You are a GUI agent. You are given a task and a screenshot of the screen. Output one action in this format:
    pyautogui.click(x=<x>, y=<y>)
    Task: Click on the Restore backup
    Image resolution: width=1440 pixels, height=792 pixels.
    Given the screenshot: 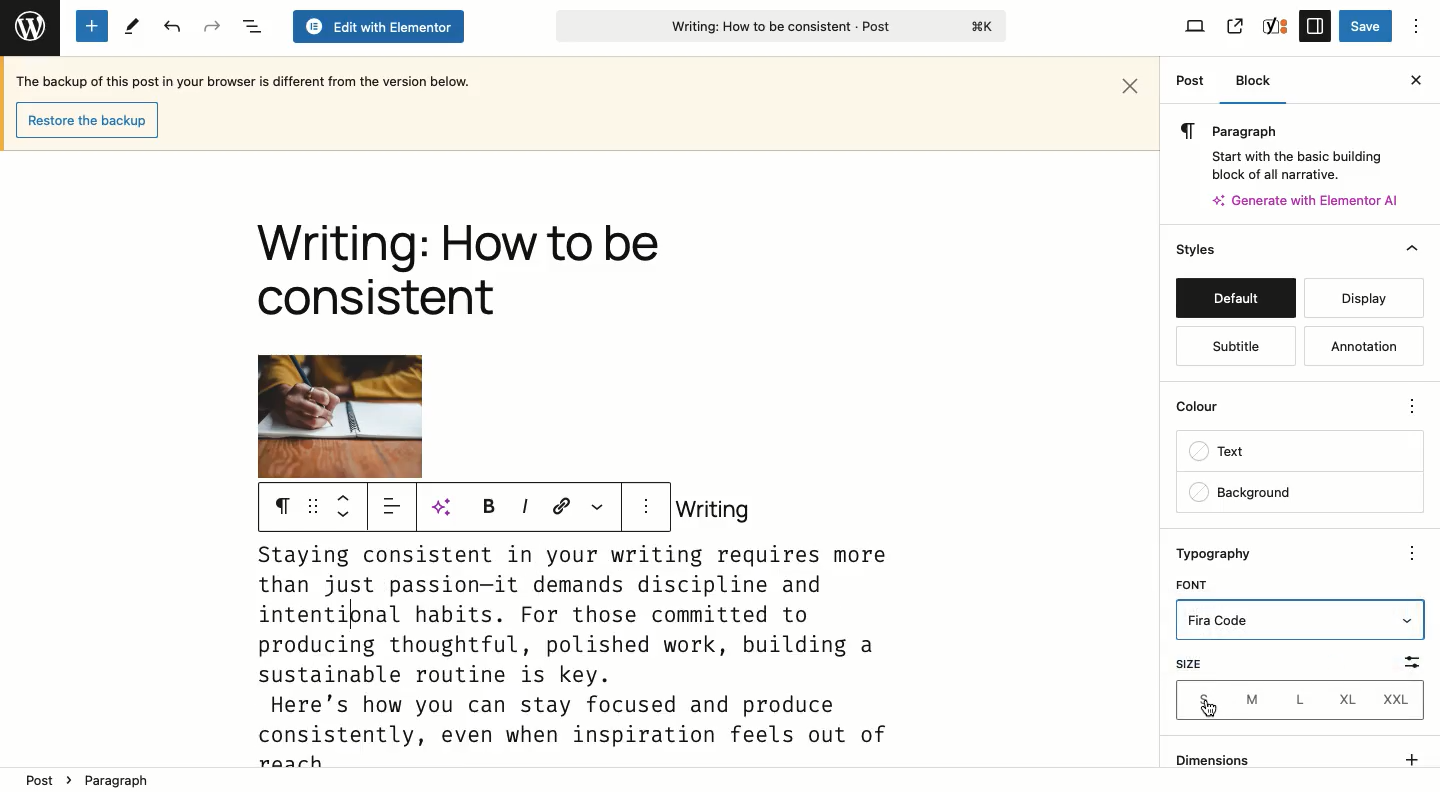 What is the action you would take?
    pyautogui.click(x=85, y=119)
    